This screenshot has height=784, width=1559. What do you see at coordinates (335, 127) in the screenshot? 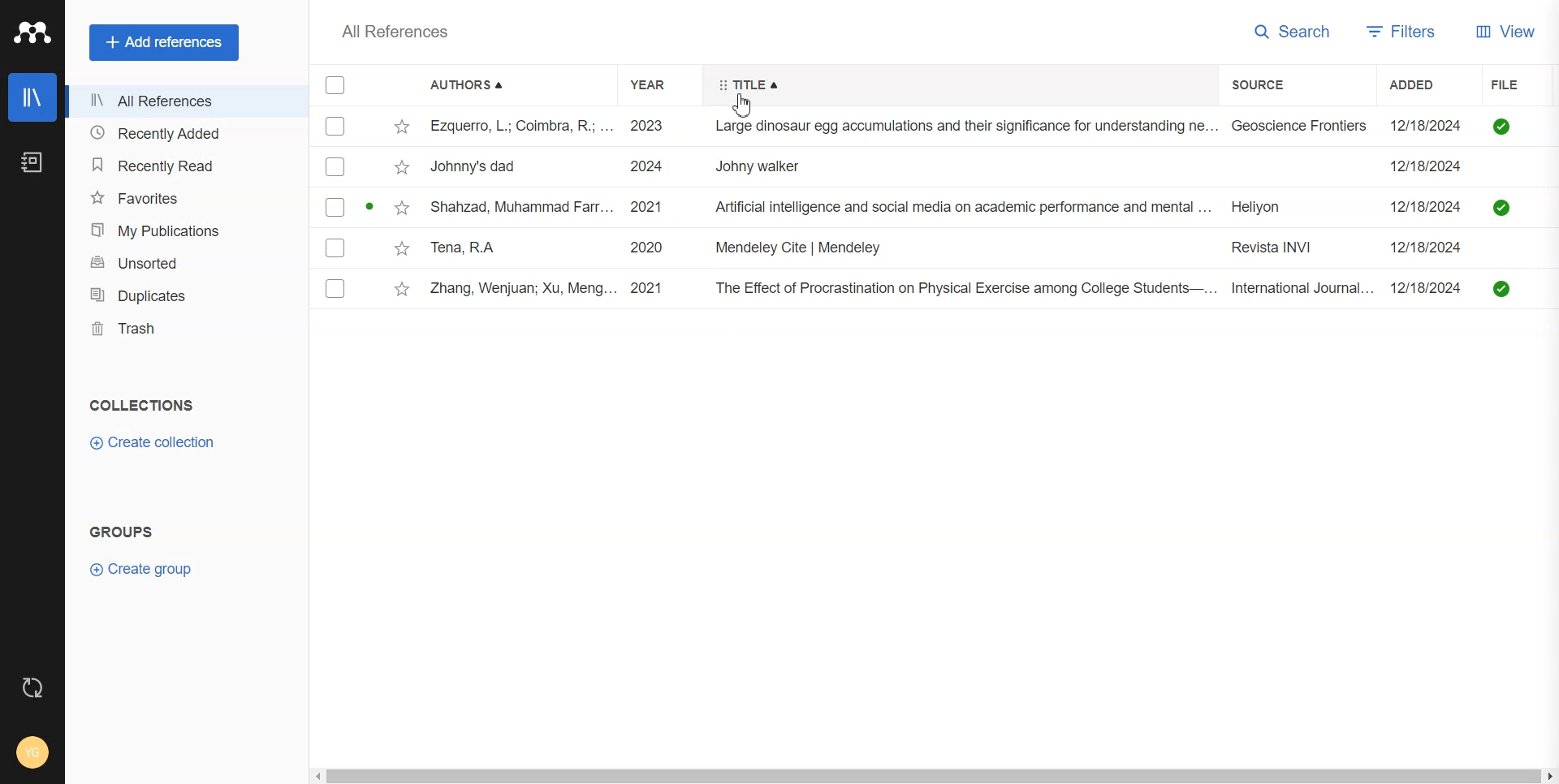
I see `select entry` at bounding box center [335, 127].